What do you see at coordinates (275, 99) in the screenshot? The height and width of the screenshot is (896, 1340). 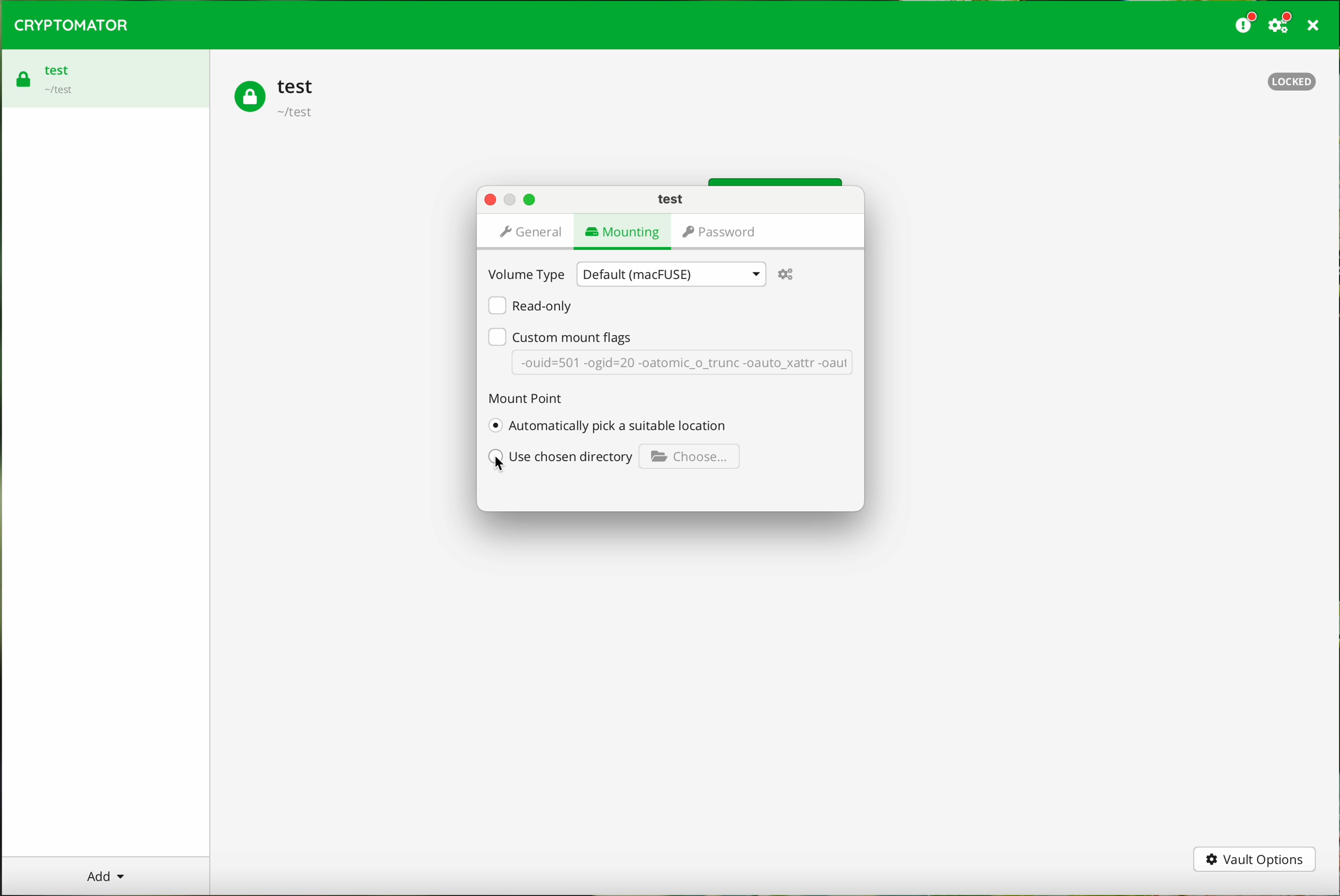 I see `test vault` at bounding box center [275, 99].